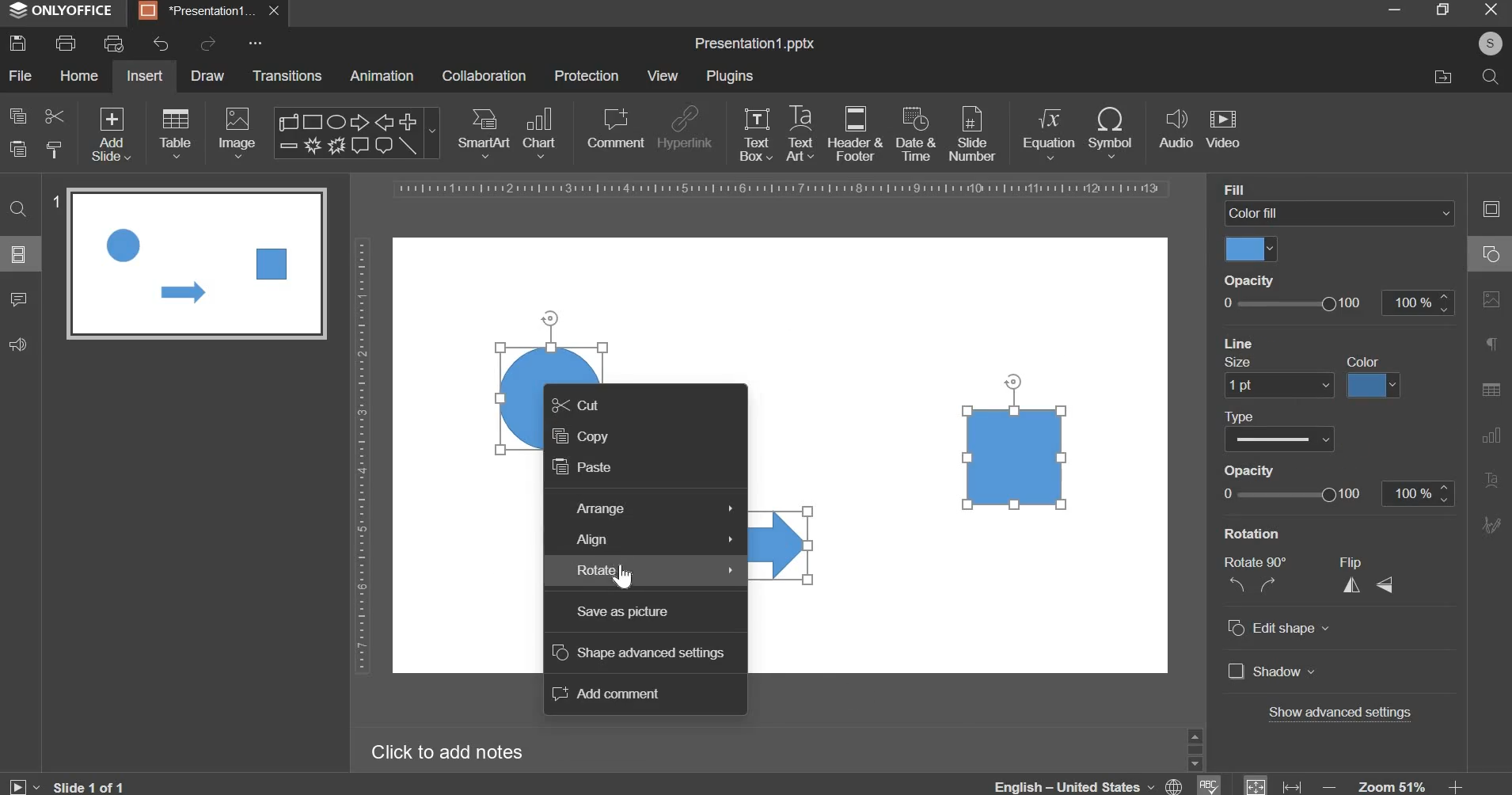  Describe the element at coordinates (583, 470) in the screenshot. I see `paste` at that location.